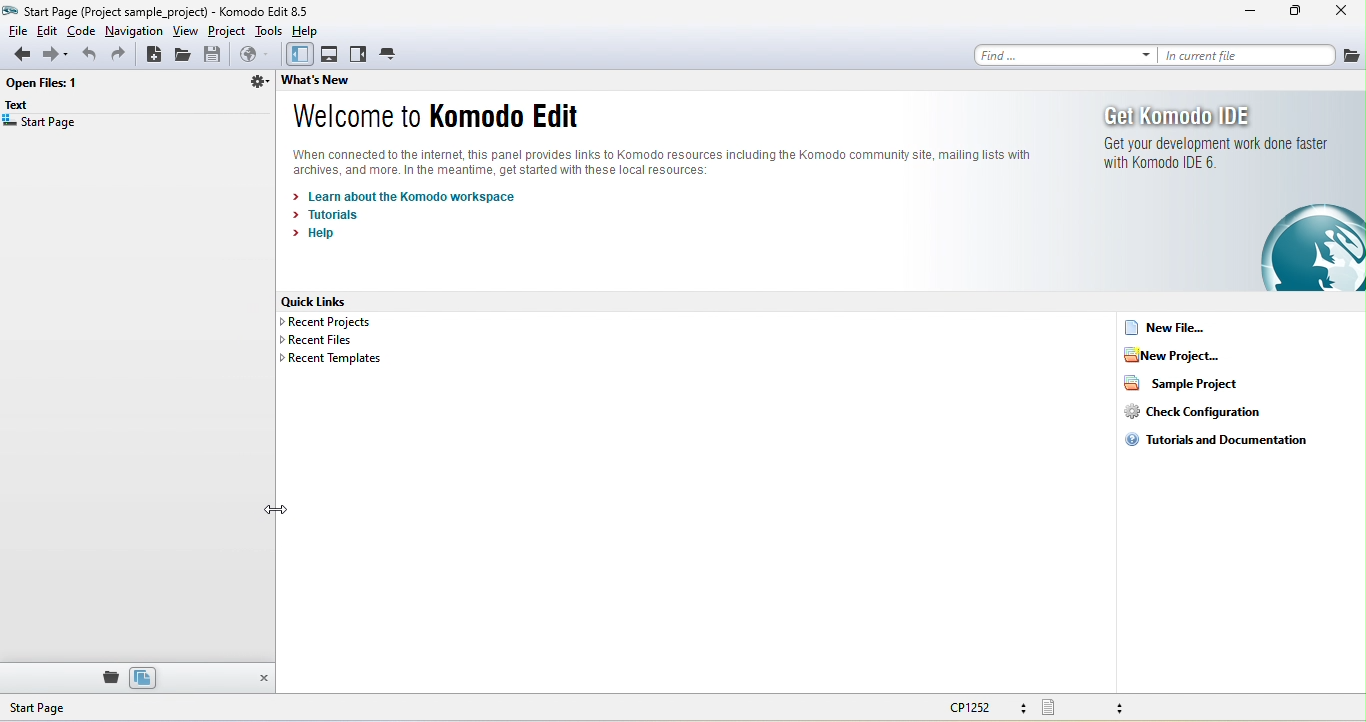  I want to click on tools, so click(269, 30).